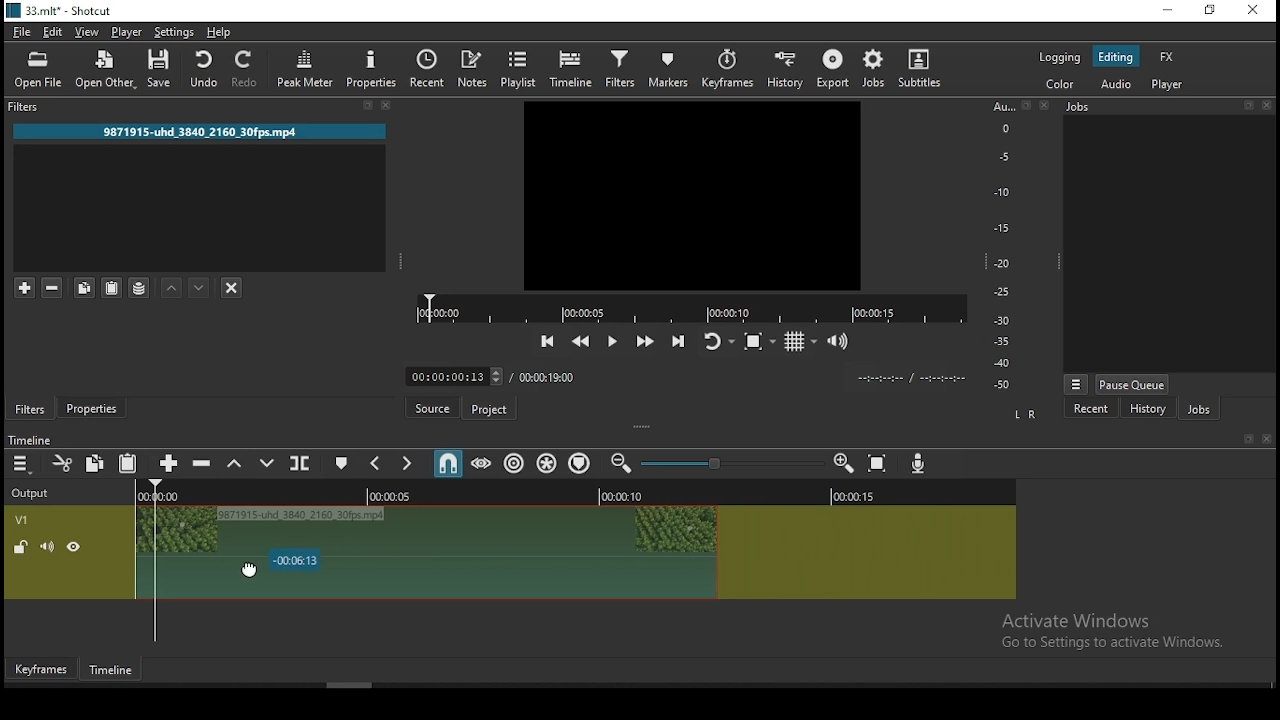 Image resolution: width=1280 pixels, height=720 pixels. What do you see at coordinates (835, 70) in the screenshot?
I see `export` at bounding box center [835, 70].